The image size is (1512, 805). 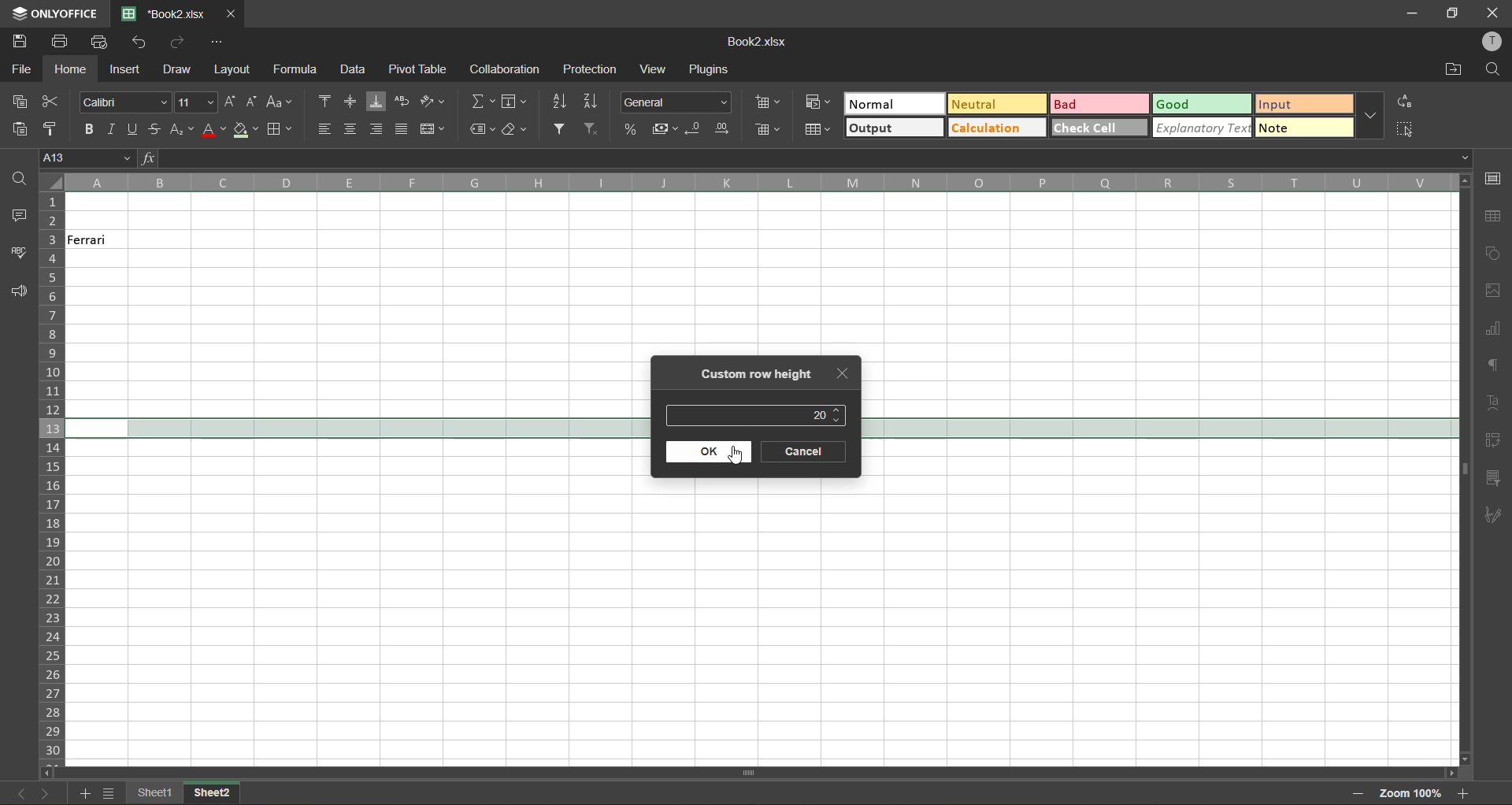 What do you see at coordinates (1467, 157) in the screenshot?
I see `Drop-down ` at bounding box center [1467, 157].